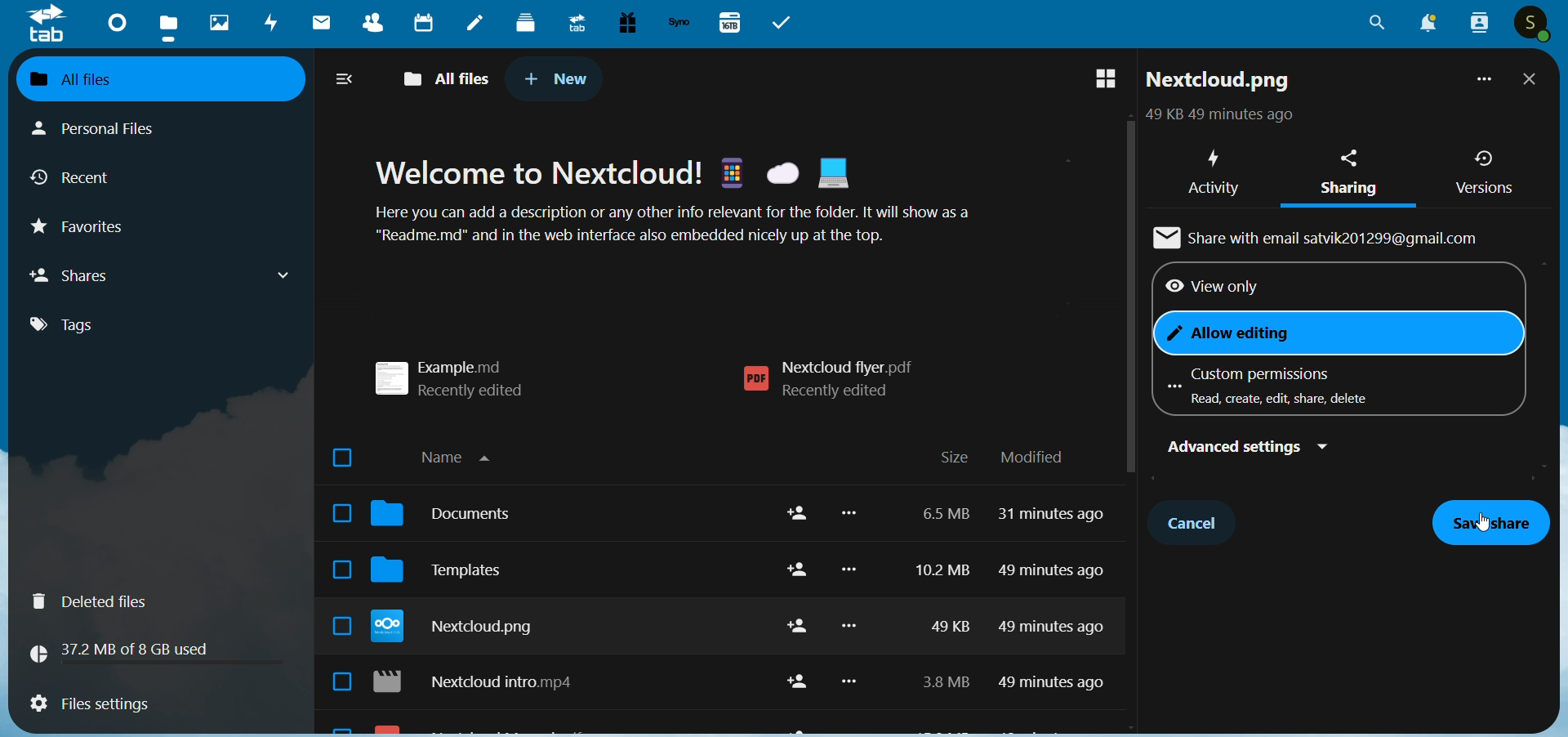 This screenshot has width=1568, height=737. I want to click on collapse/expand, so click(346, 81).